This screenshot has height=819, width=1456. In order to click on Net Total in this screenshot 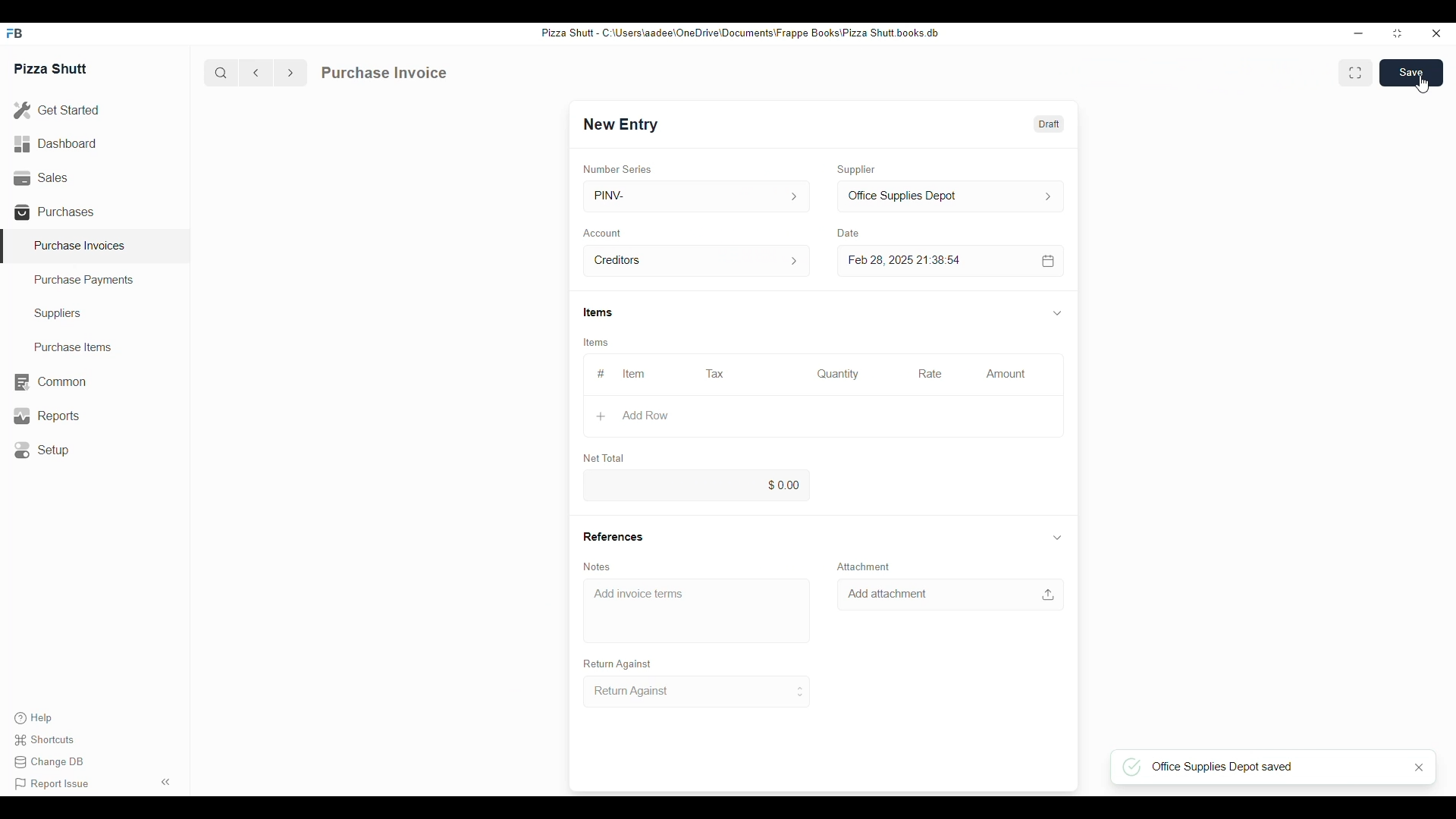, I will do `click(605, 459)`.